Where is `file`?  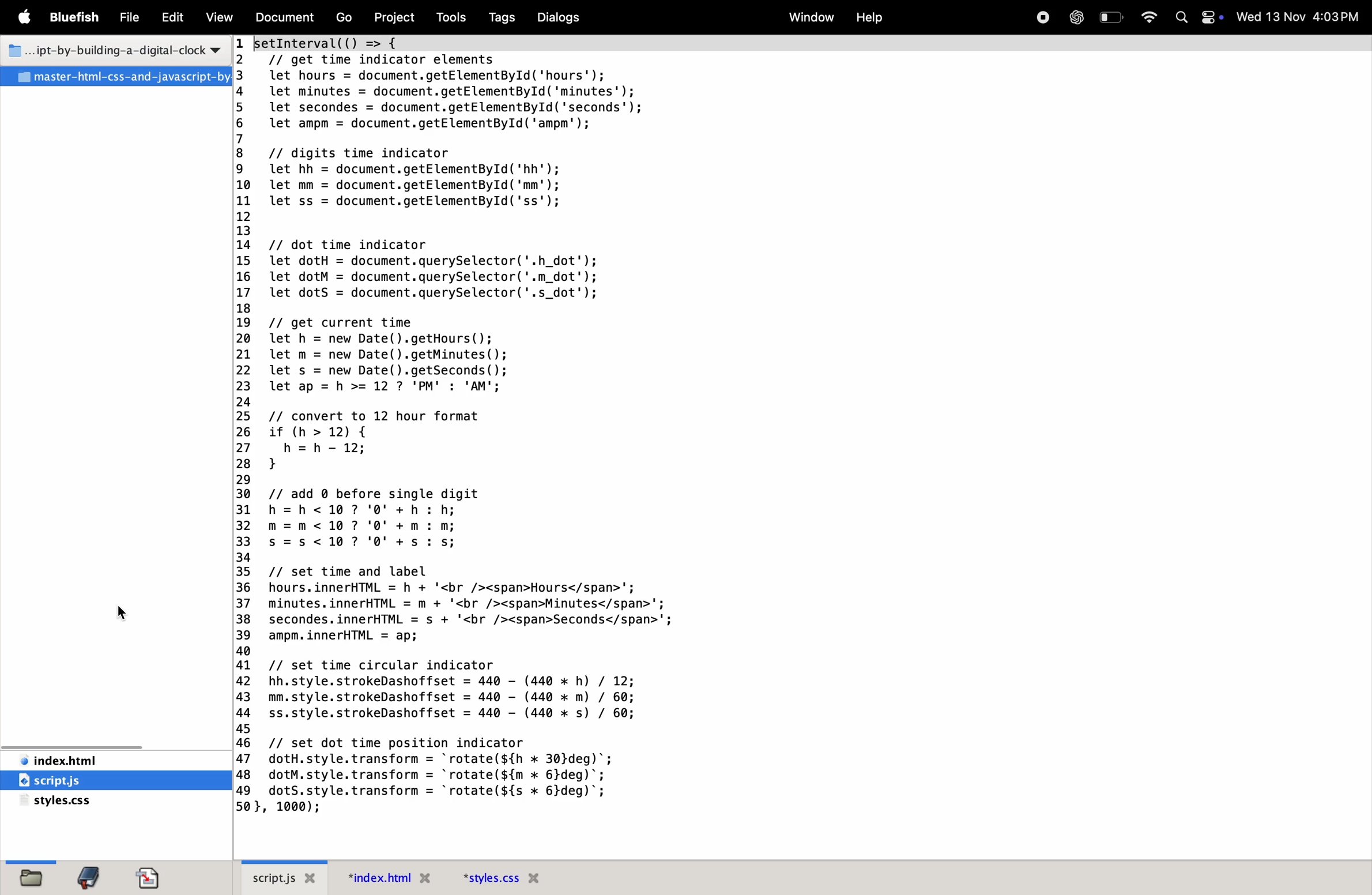
file is located at coordinates (126, 18).